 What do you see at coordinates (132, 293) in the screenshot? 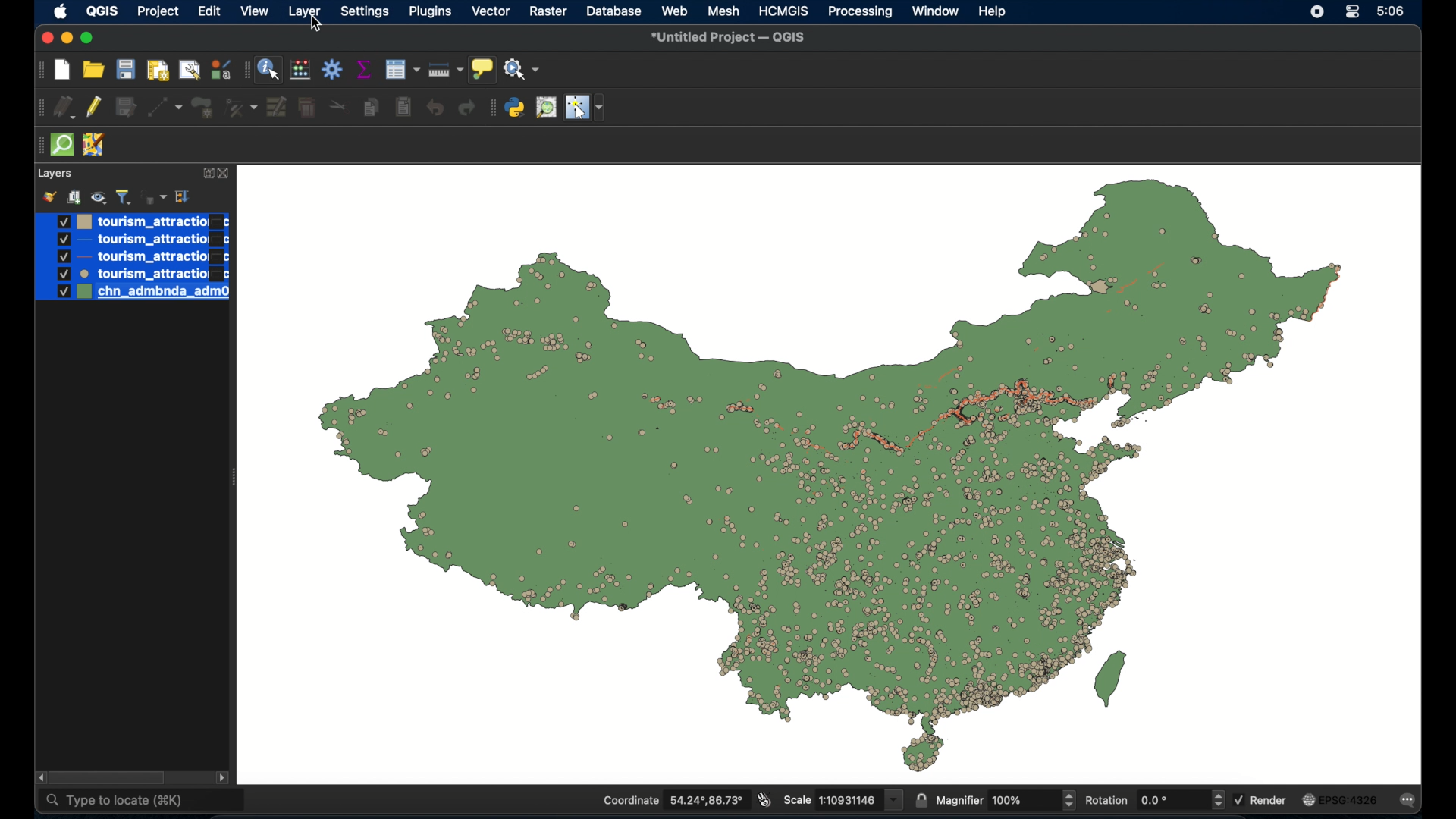
I see `layer 5` at bounding box center [132, 293].